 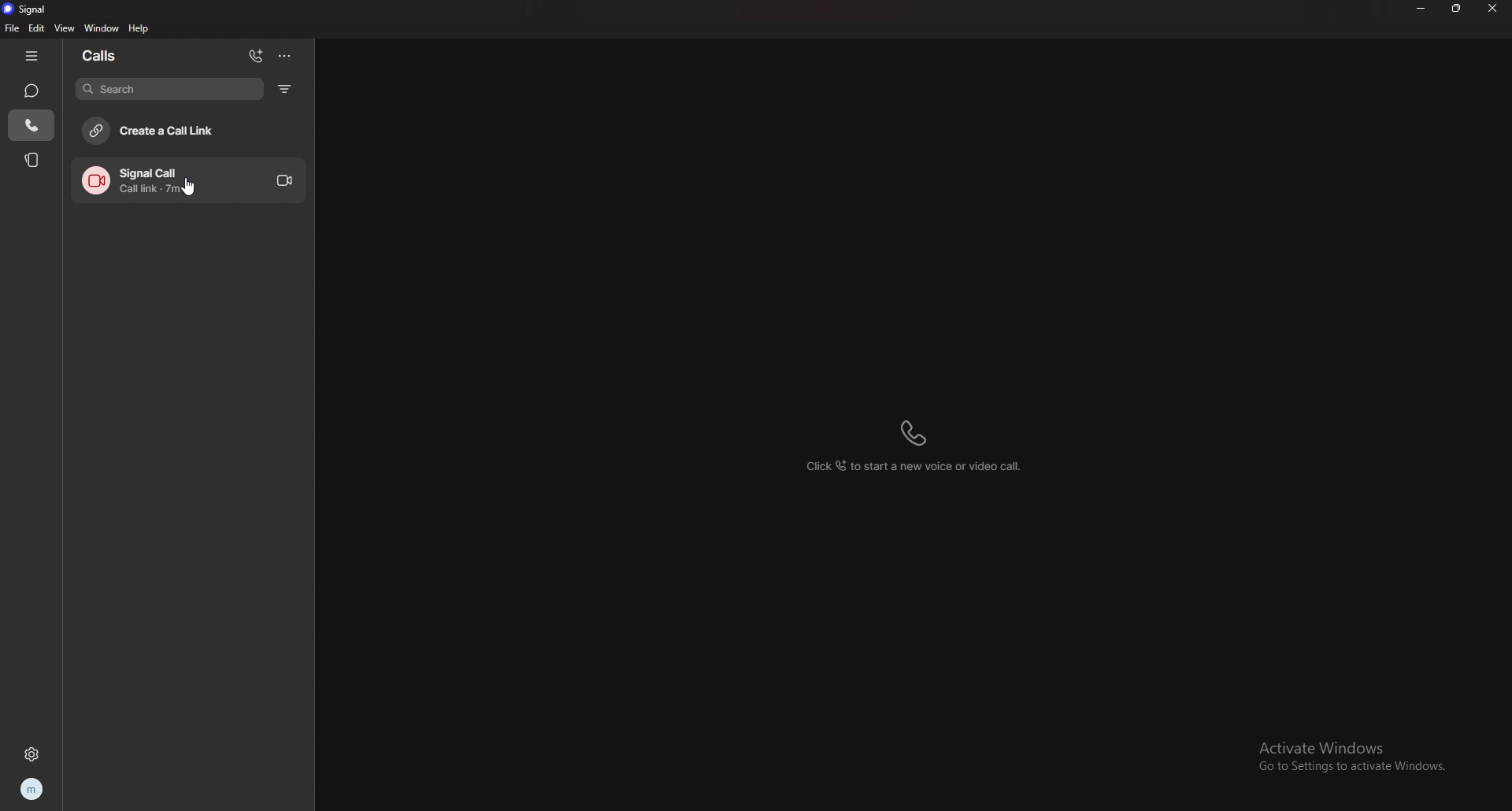 What do you see at coordinates (1421, 9) in the screenshot?
I see `minimize` at bounding box center [1421, 9].